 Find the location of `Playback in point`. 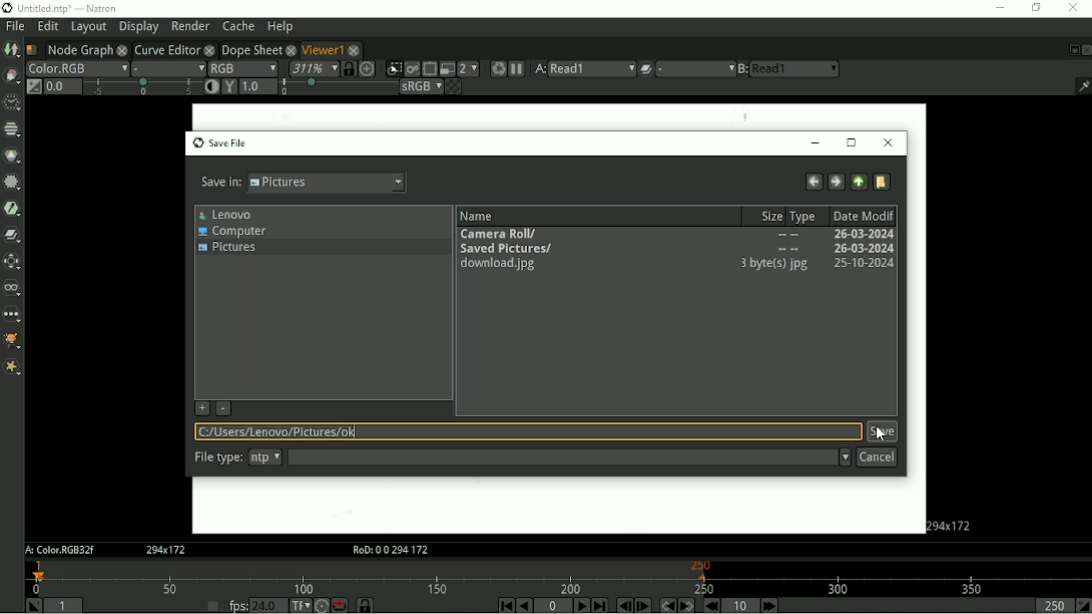

Playback in point is located at coordinates (63, 606).